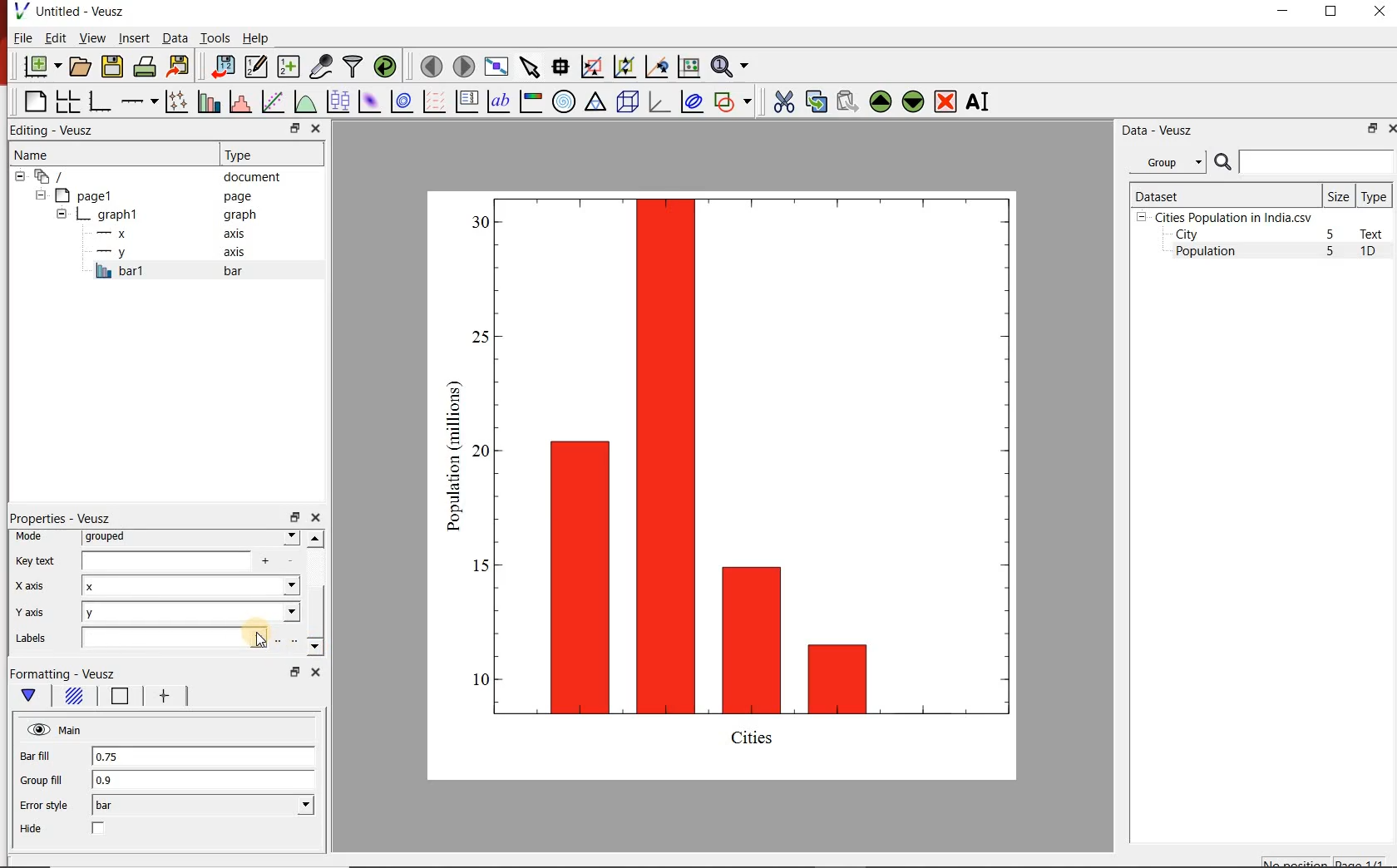 The image size is (1397, 868). Describe the element at coordinates (881, 101) in the screenshot. I see `move the selected widget up` at that location.